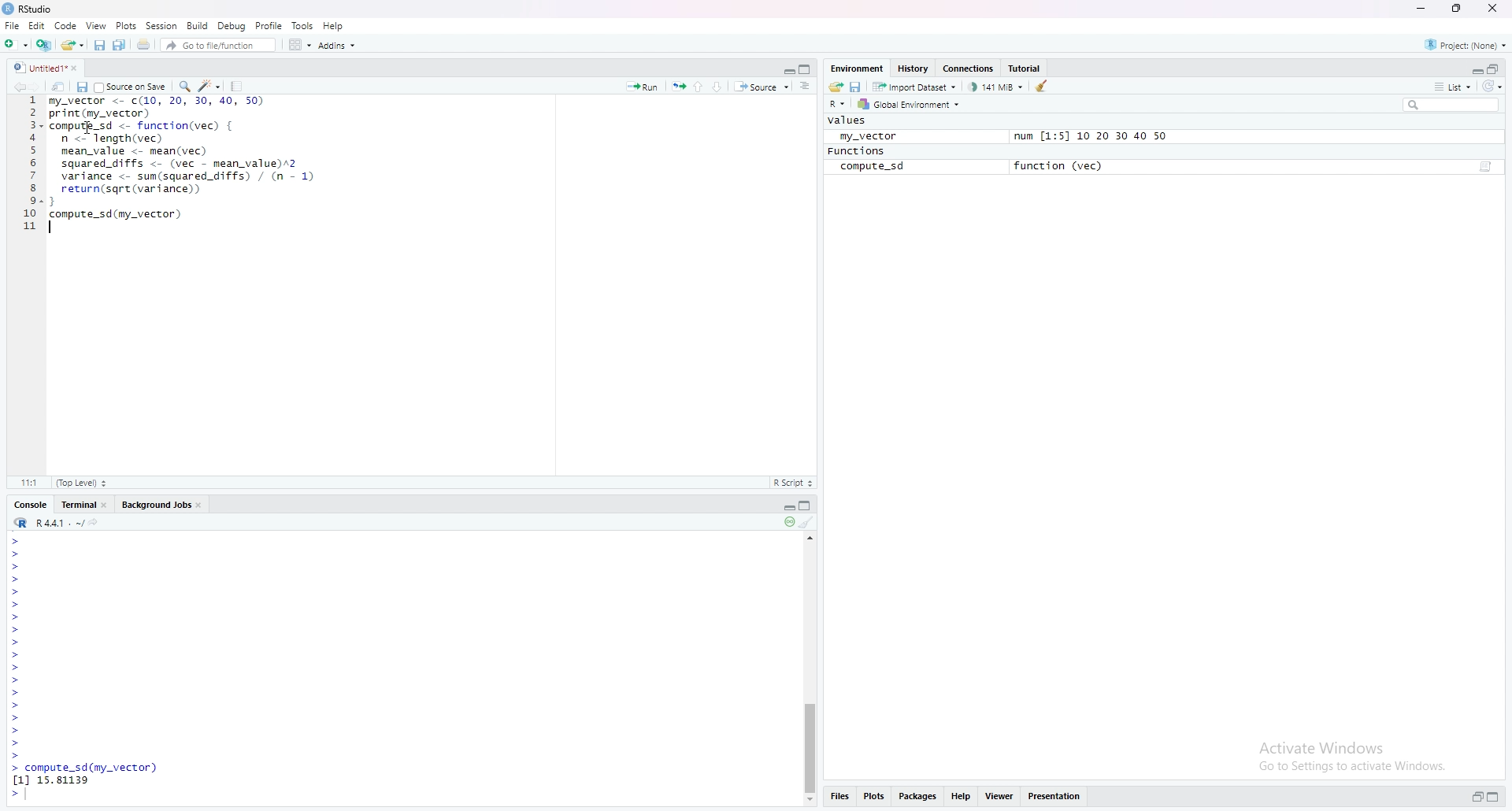 This screenshot has height=811, width=1512. I want to click on Show document outline (Ctrl + Shift + O), so click(805, 86).